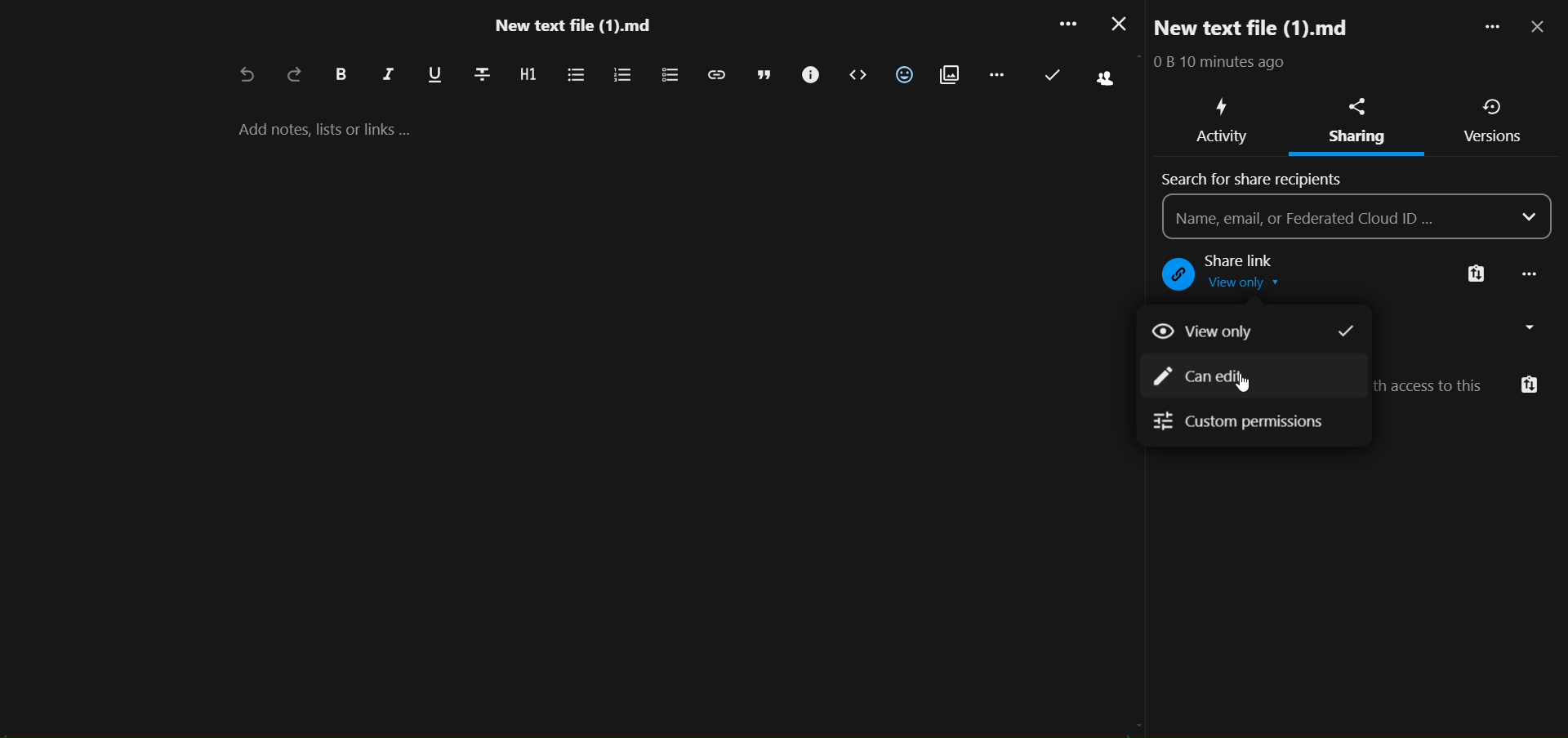  What do you see at coordinates (243, 77) in the screenshot?
I see `undo` at bounding box center [243, 77].